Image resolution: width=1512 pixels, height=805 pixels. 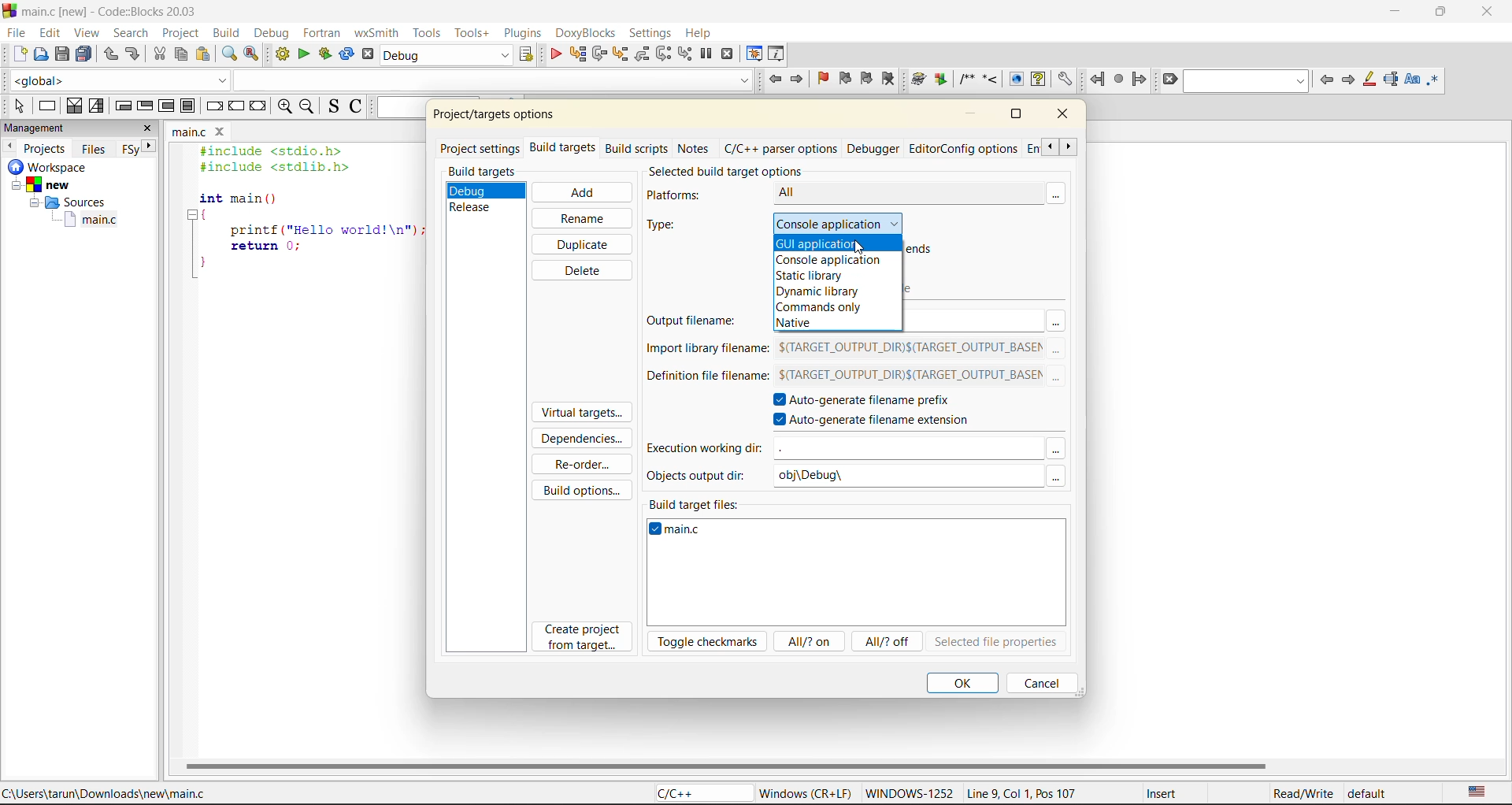 What do you see at coordinates (371, 54) in the screenshot?
I see `abort` at bounding box center [371, 54].